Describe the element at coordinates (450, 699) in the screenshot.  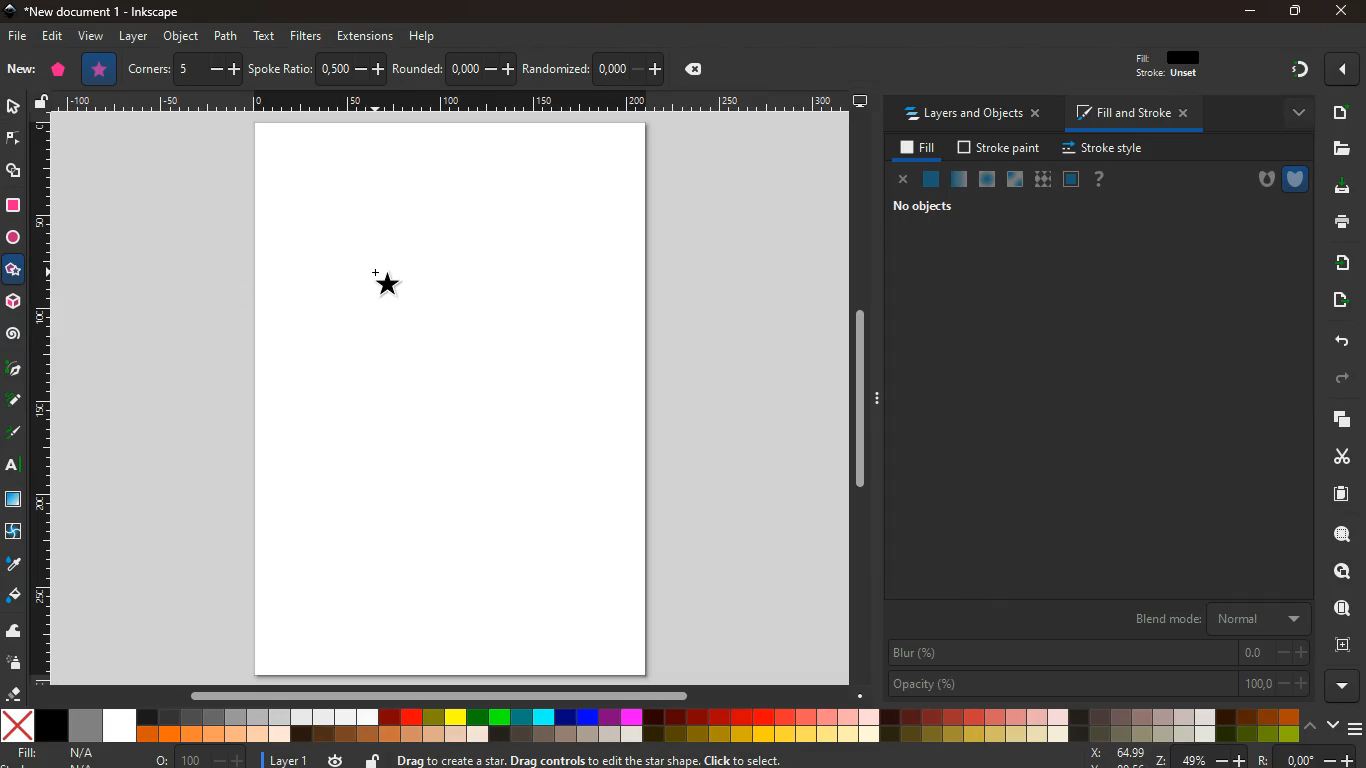
I see `Horizontal scroll bar` at that location.